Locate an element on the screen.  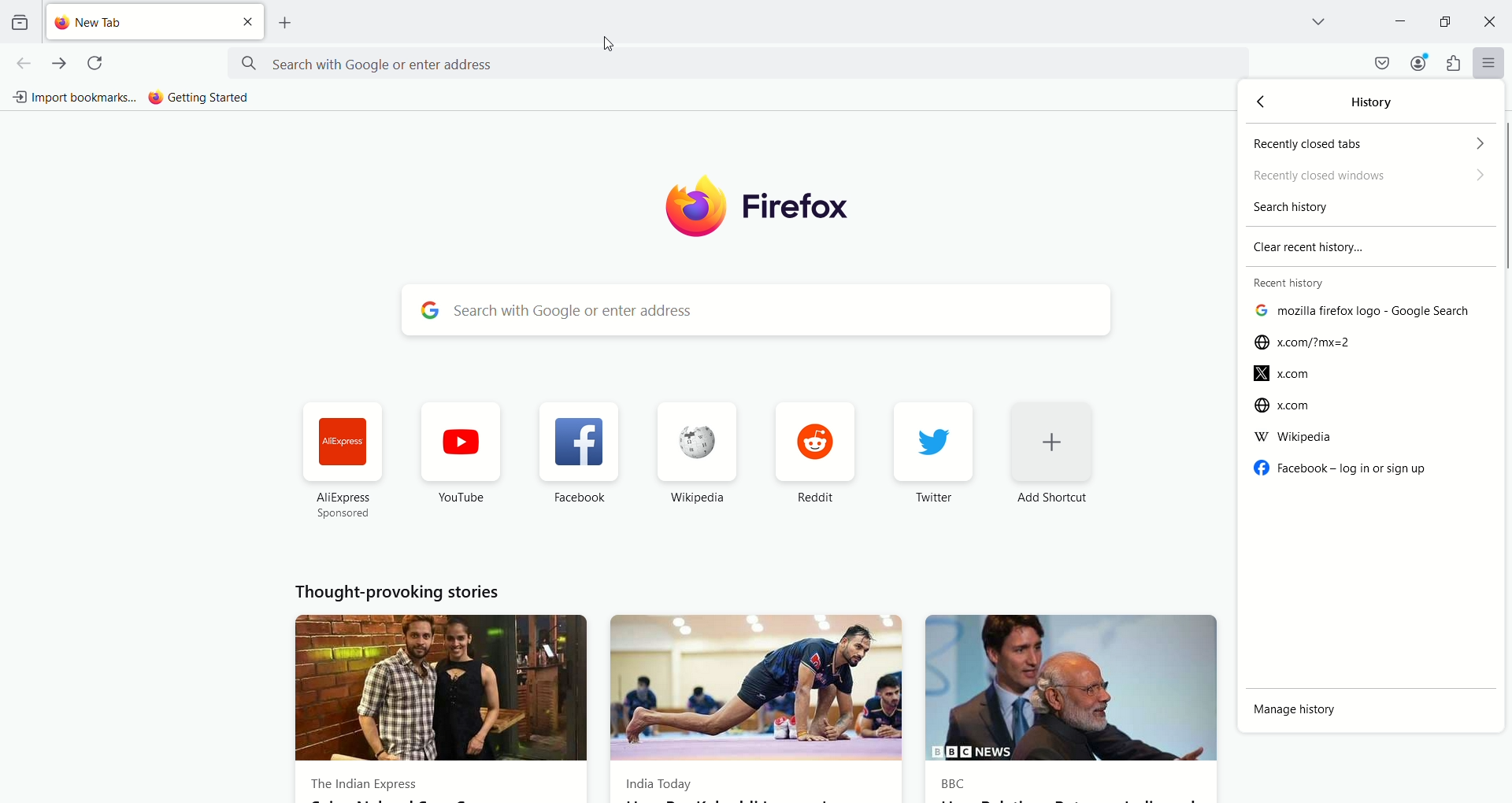
firefox is located at coordinates (812, 204).